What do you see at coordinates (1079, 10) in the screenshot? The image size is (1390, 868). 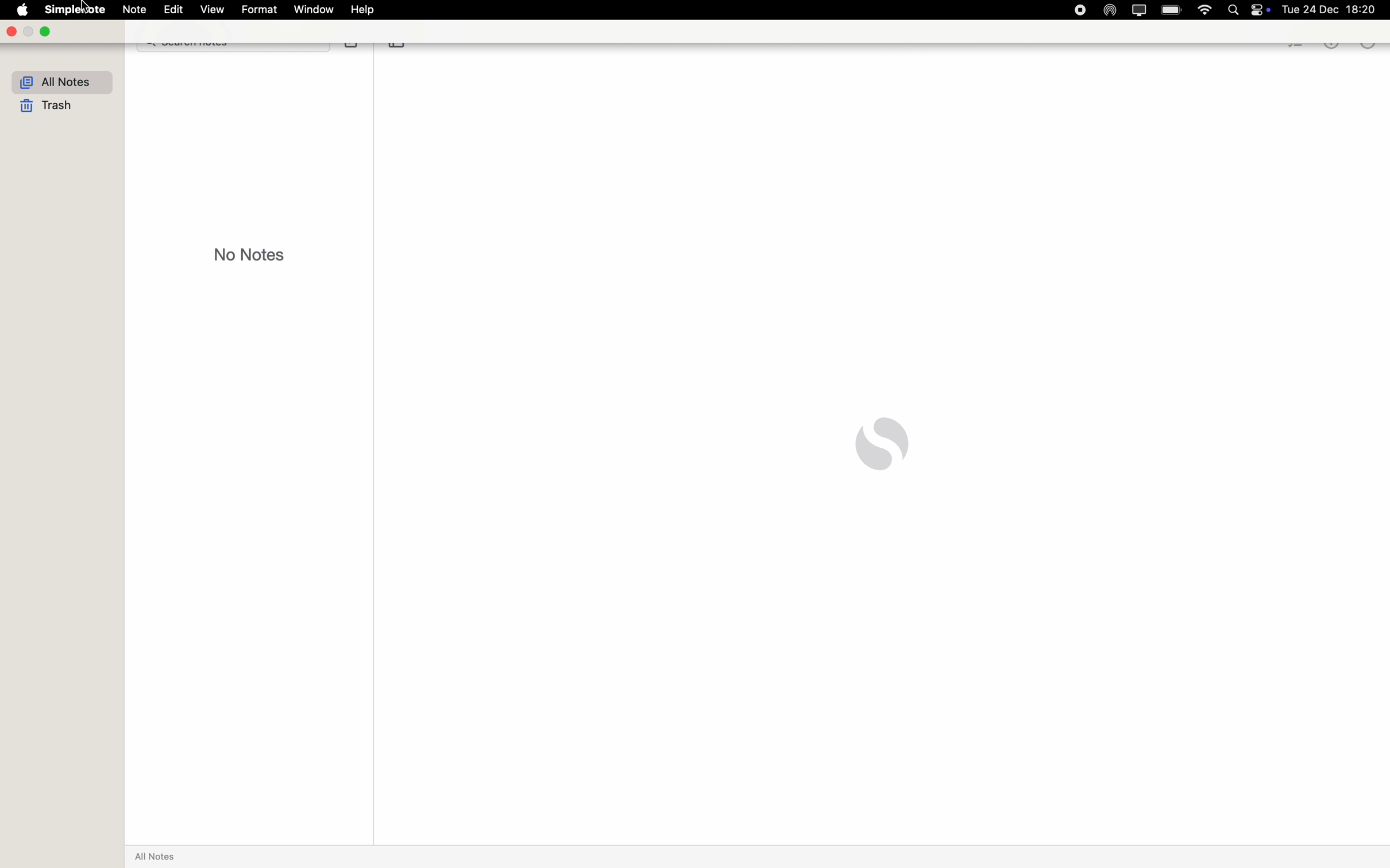 I see `stop recording` at bounding box center [1079, 10].